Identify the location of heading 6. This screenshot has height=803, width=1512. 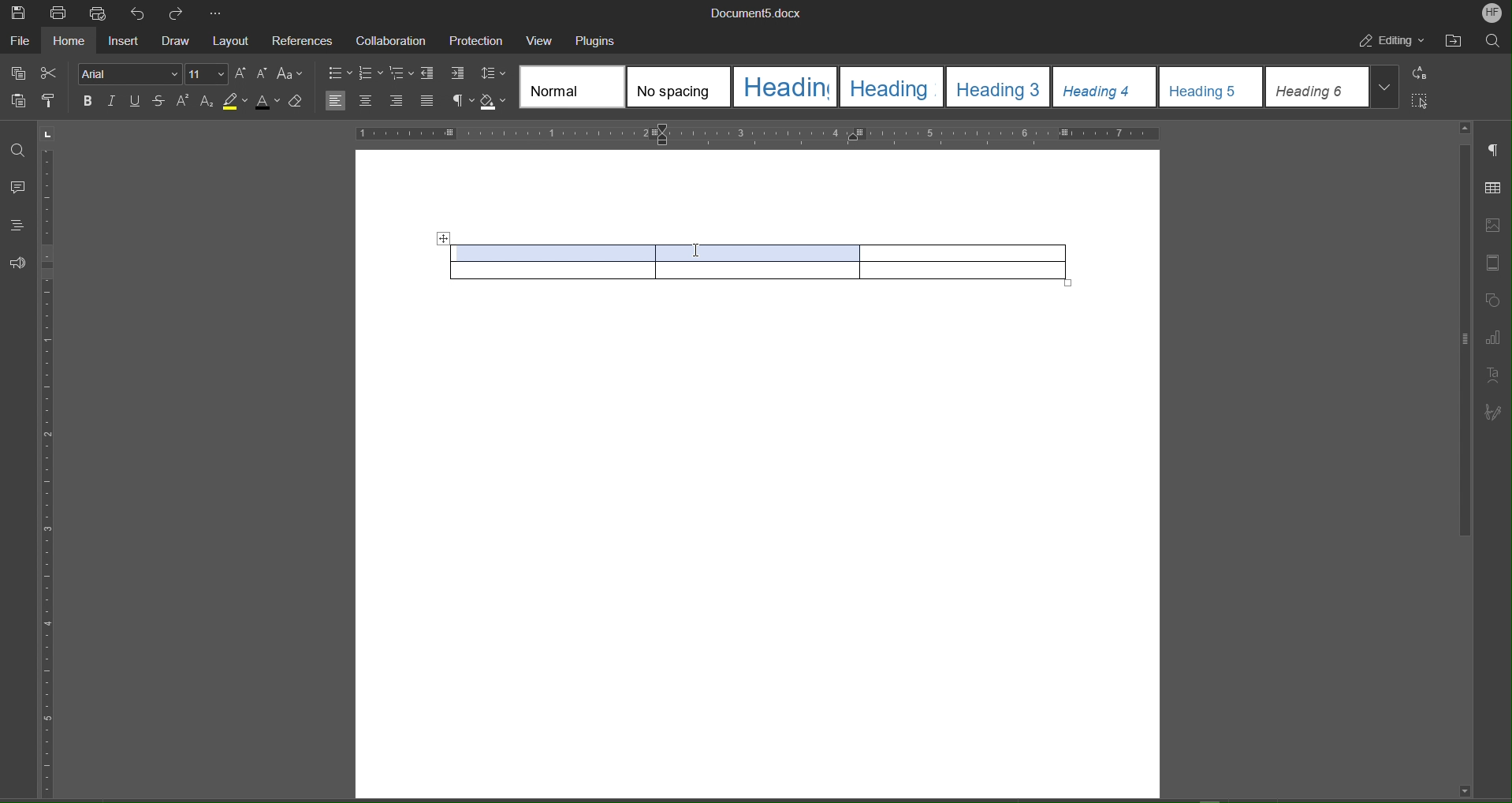
(1317, 87).